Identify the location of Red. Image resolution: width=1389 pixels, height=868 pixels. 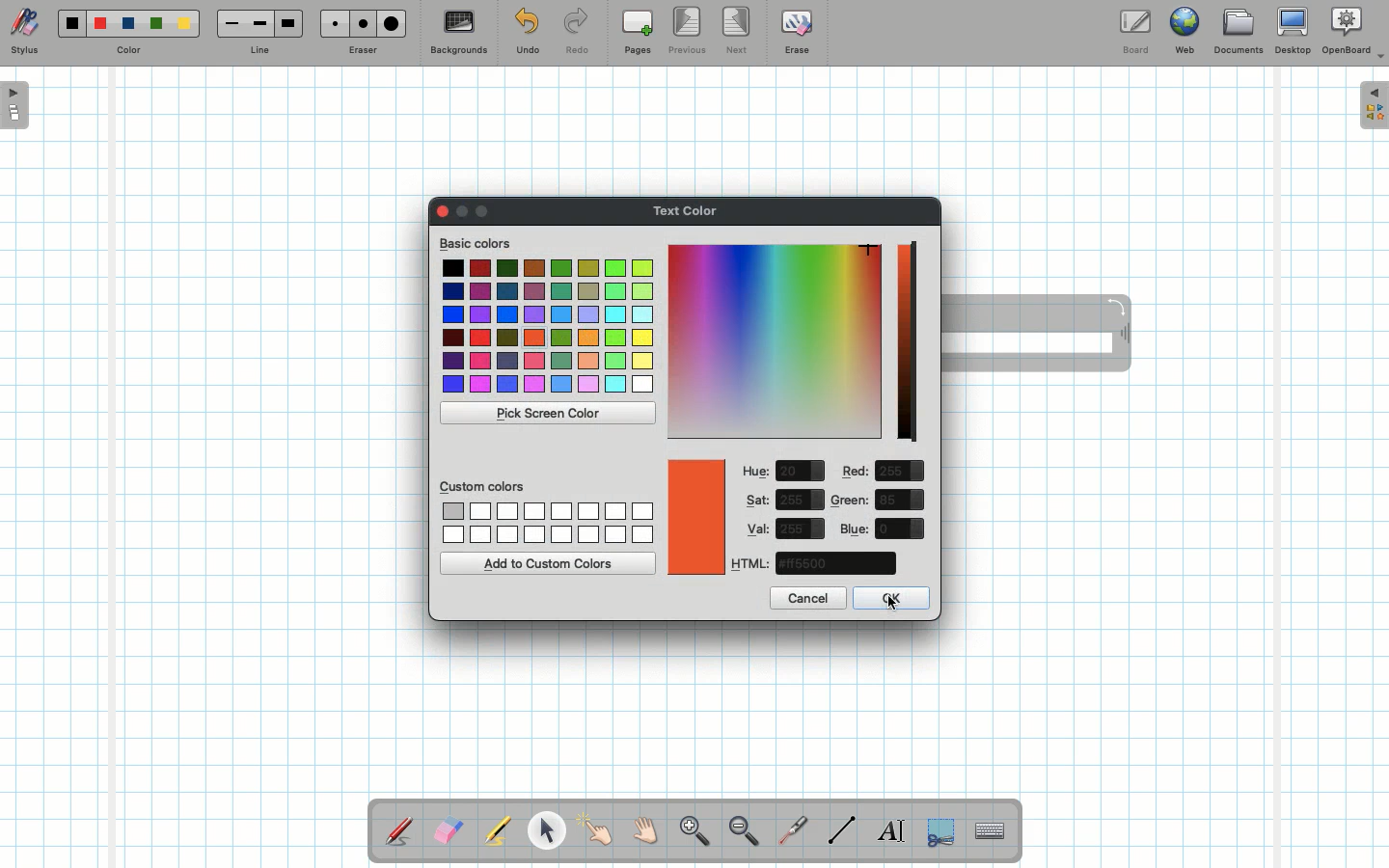
(857, 472).